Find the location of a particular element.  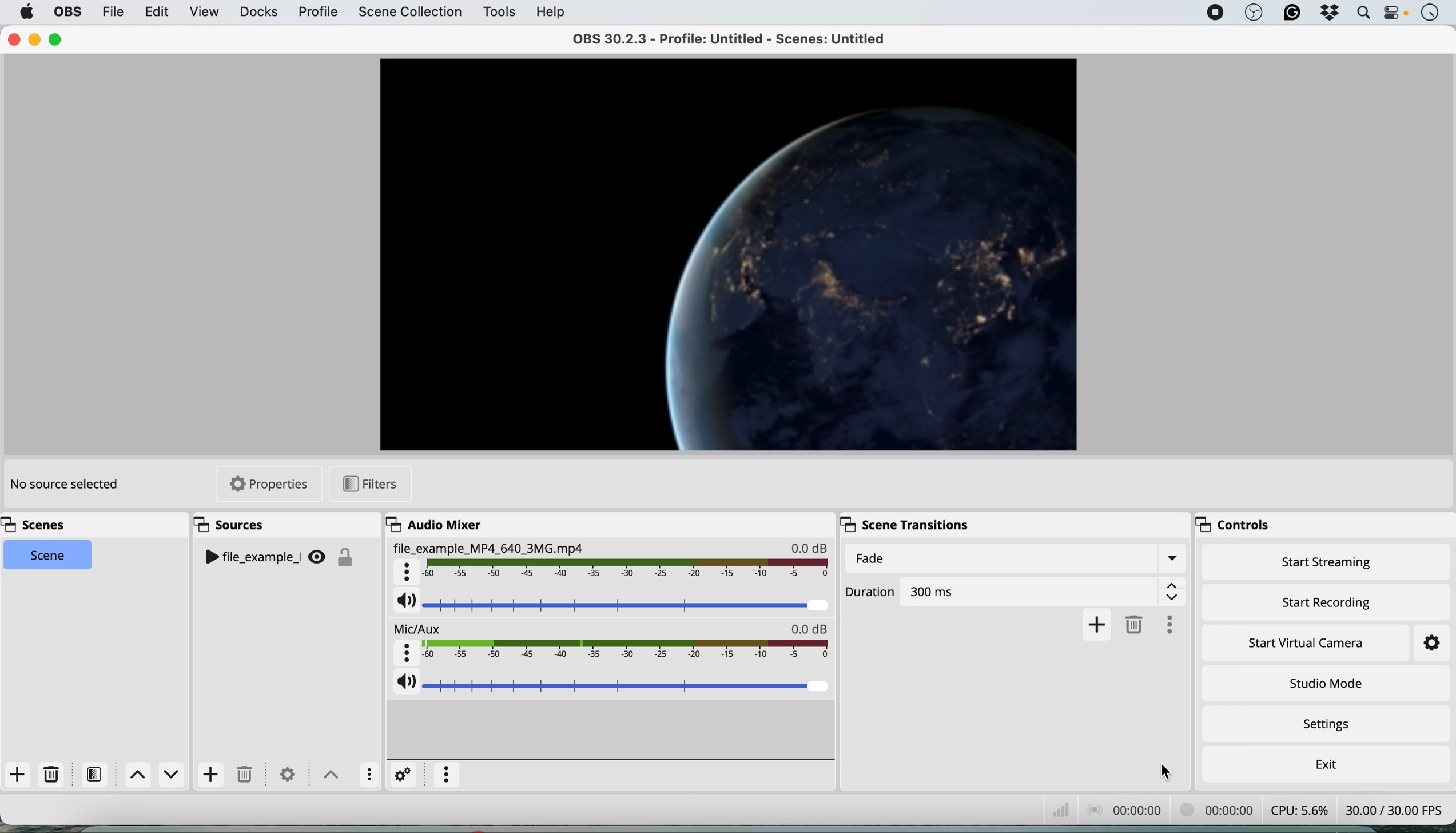

controls is located at coordinates (1241, 526).